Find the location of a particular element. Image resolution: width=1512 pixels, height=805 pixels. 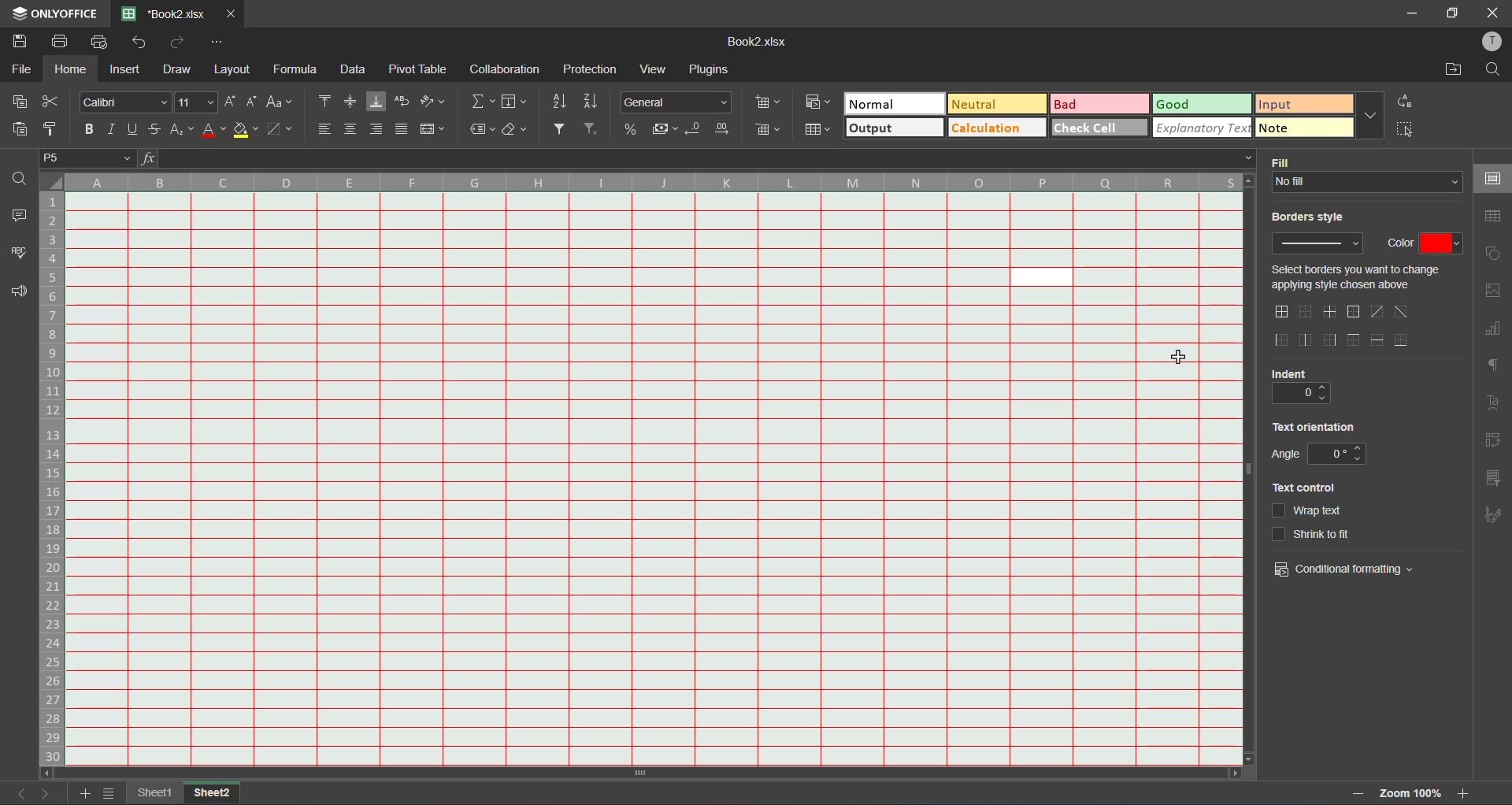

set diagonal down border is located at coordinates (1401, 313).